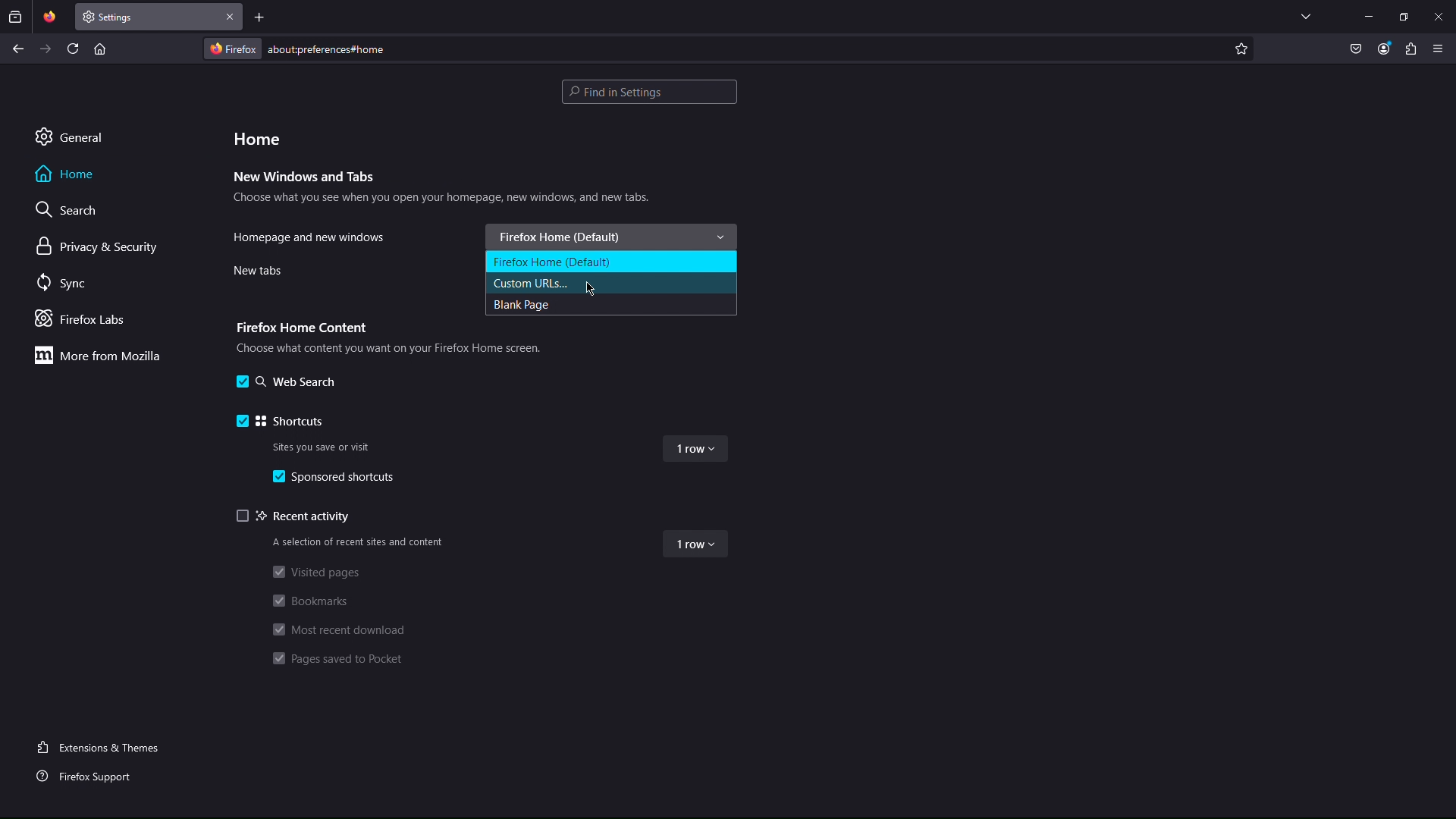  I want to click on 1 row, so click(693, 449).